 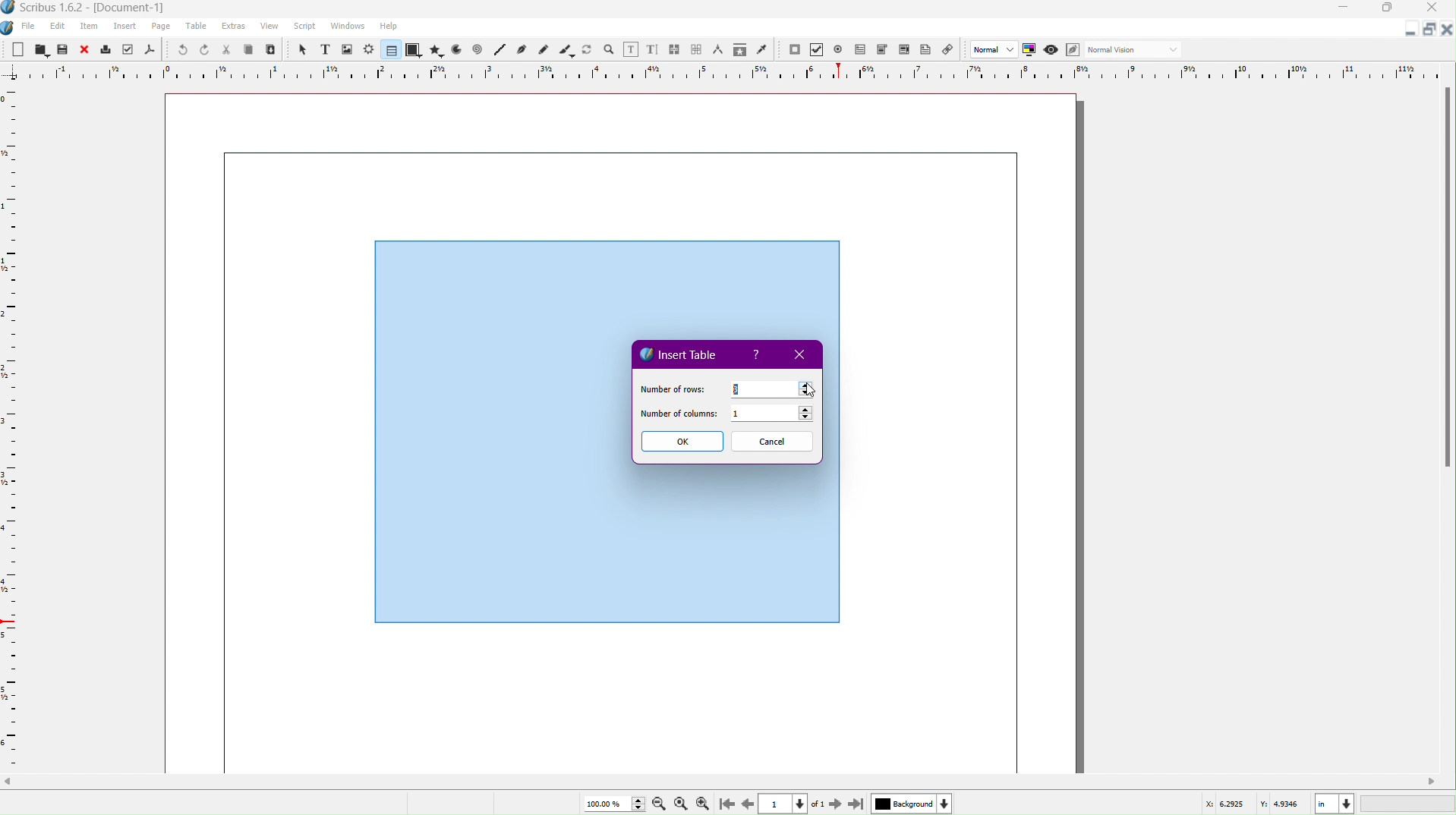 What do you see at coordinates (609, 49) in the screenshot?
I see `Zoom in or out` at bounding box center [609, 49].